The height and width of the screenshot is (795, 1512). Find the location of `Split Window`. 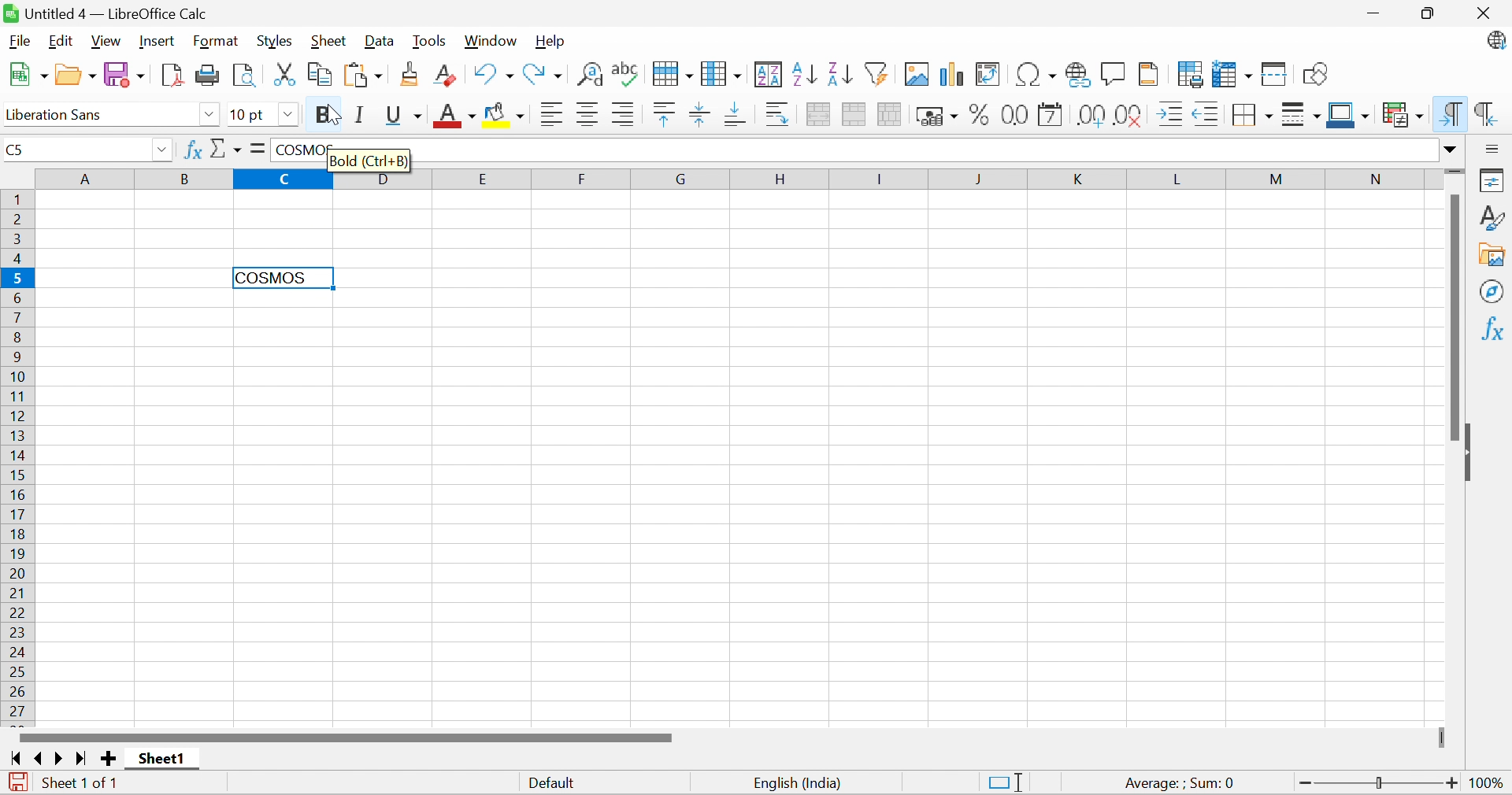

Split Window is located at coordinates (1277, 75).